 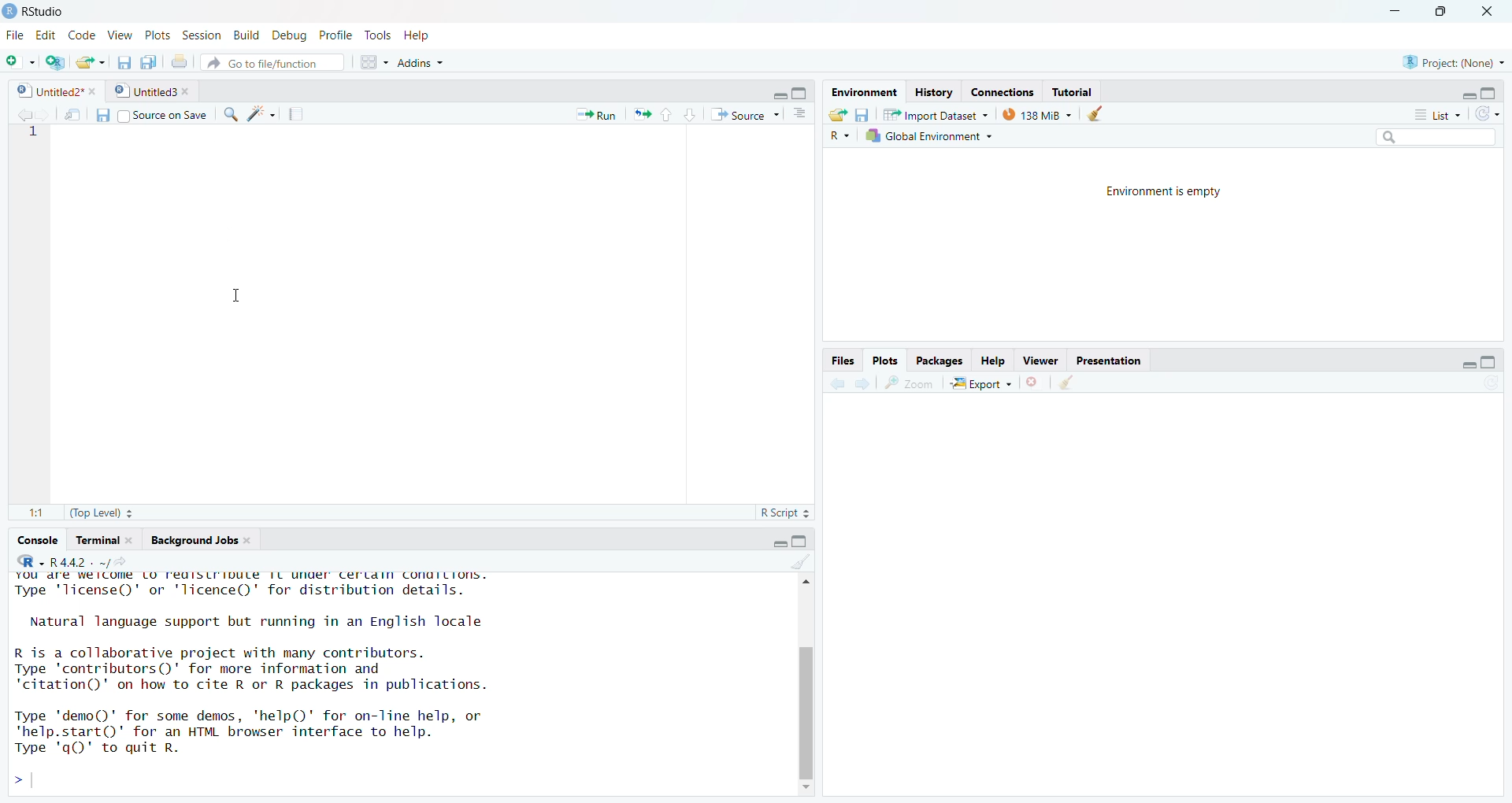 I want to click on Help, so click(x=418, y=33).